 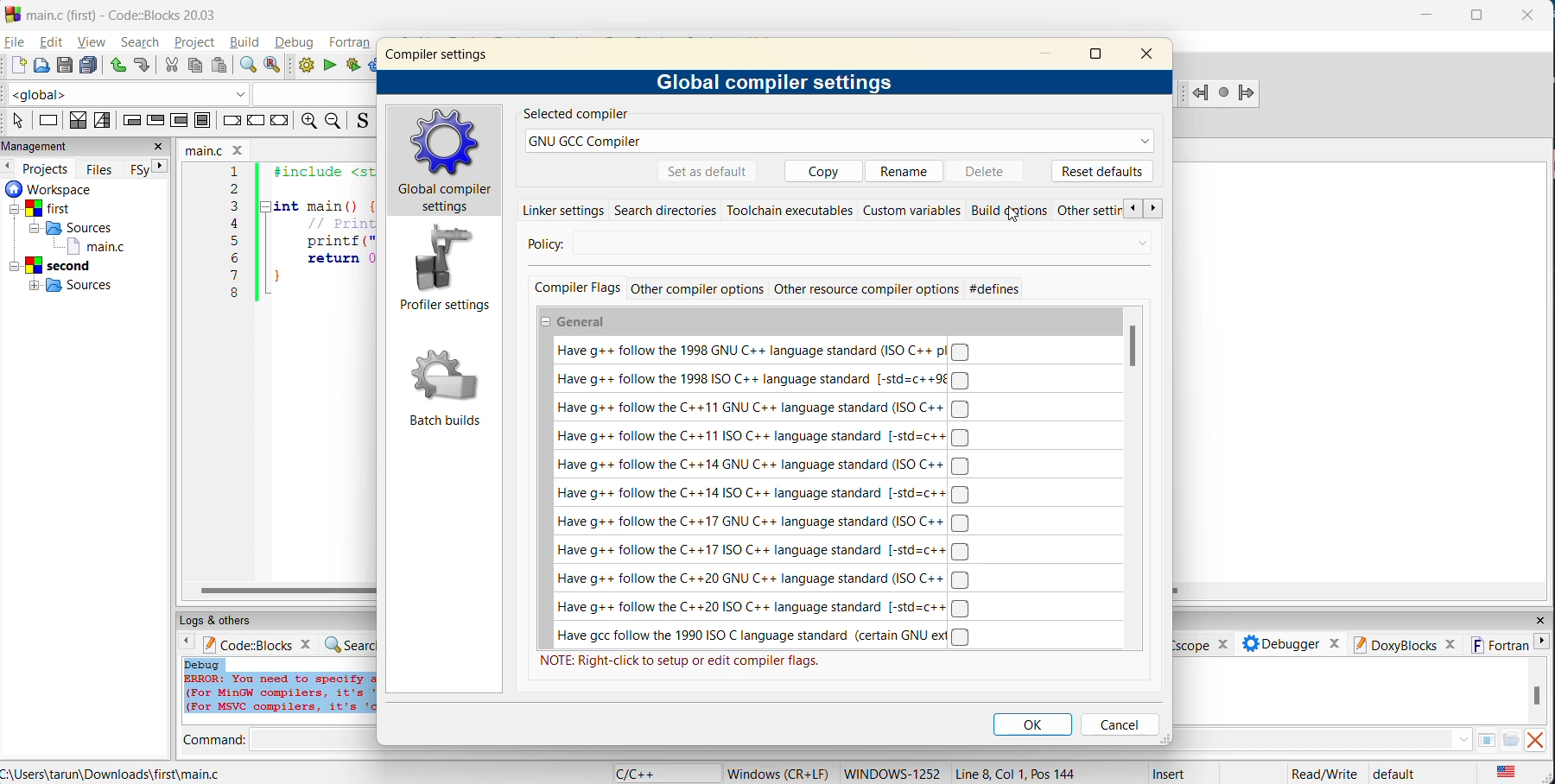 What do you see at coordinates (91, 41) in the screenshot?
I see `view` at bounding box center [91, 41].